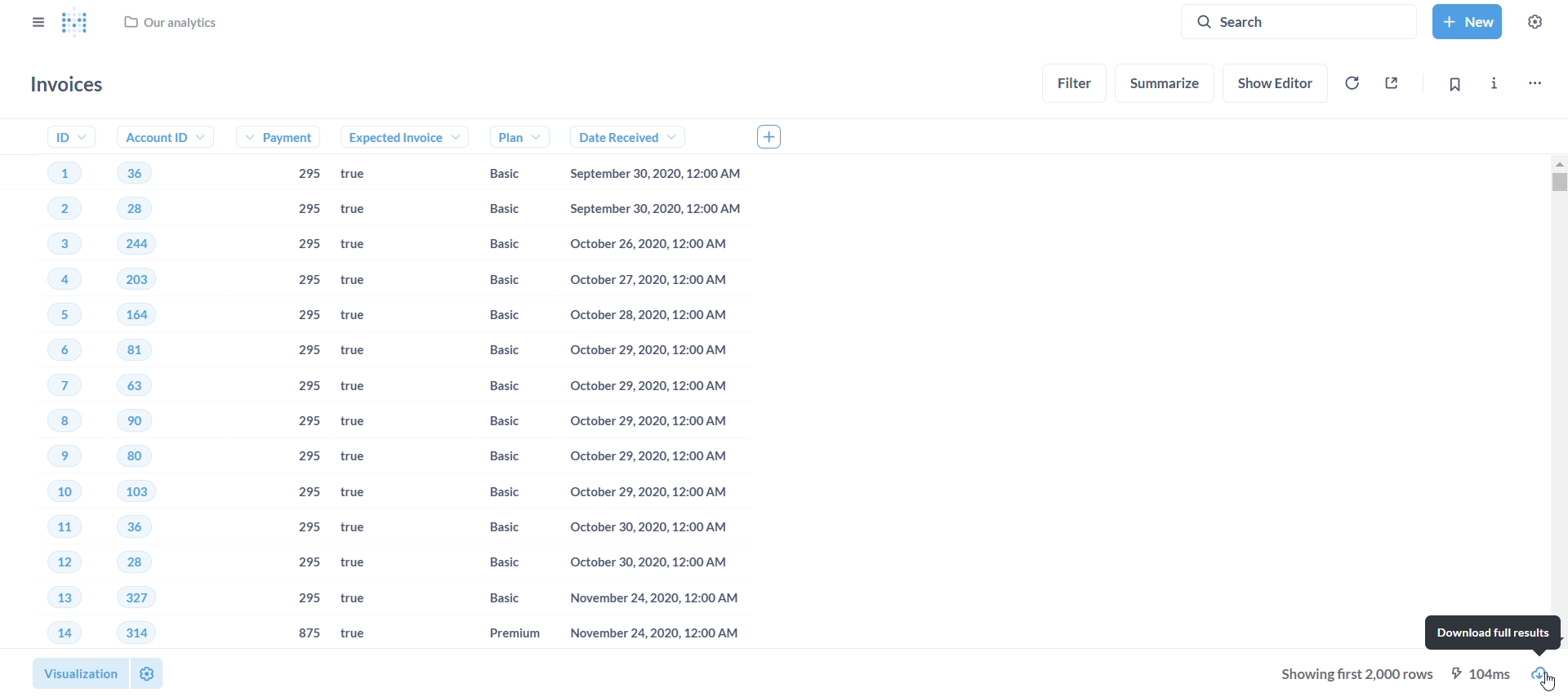 This screenshot has width=1568, height=697. I want to click on true, so click(362, 458).